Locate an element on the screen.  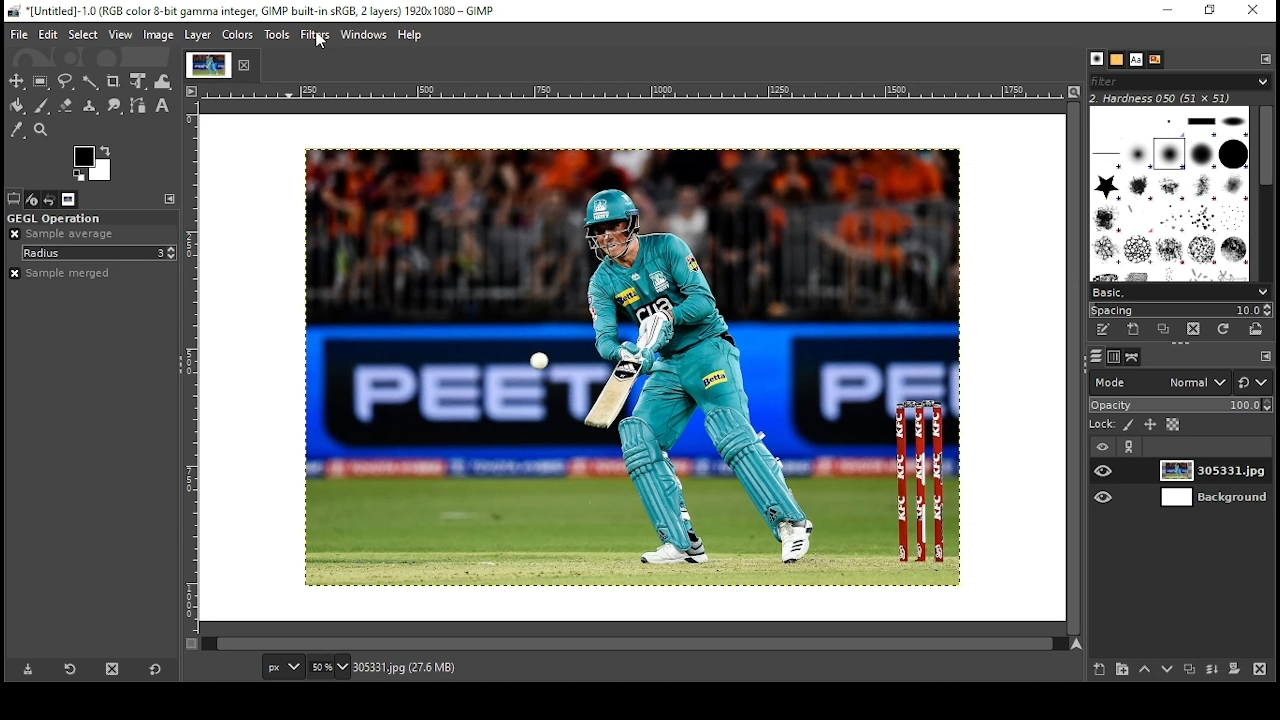
undo history is located at coordinates (50, 200).